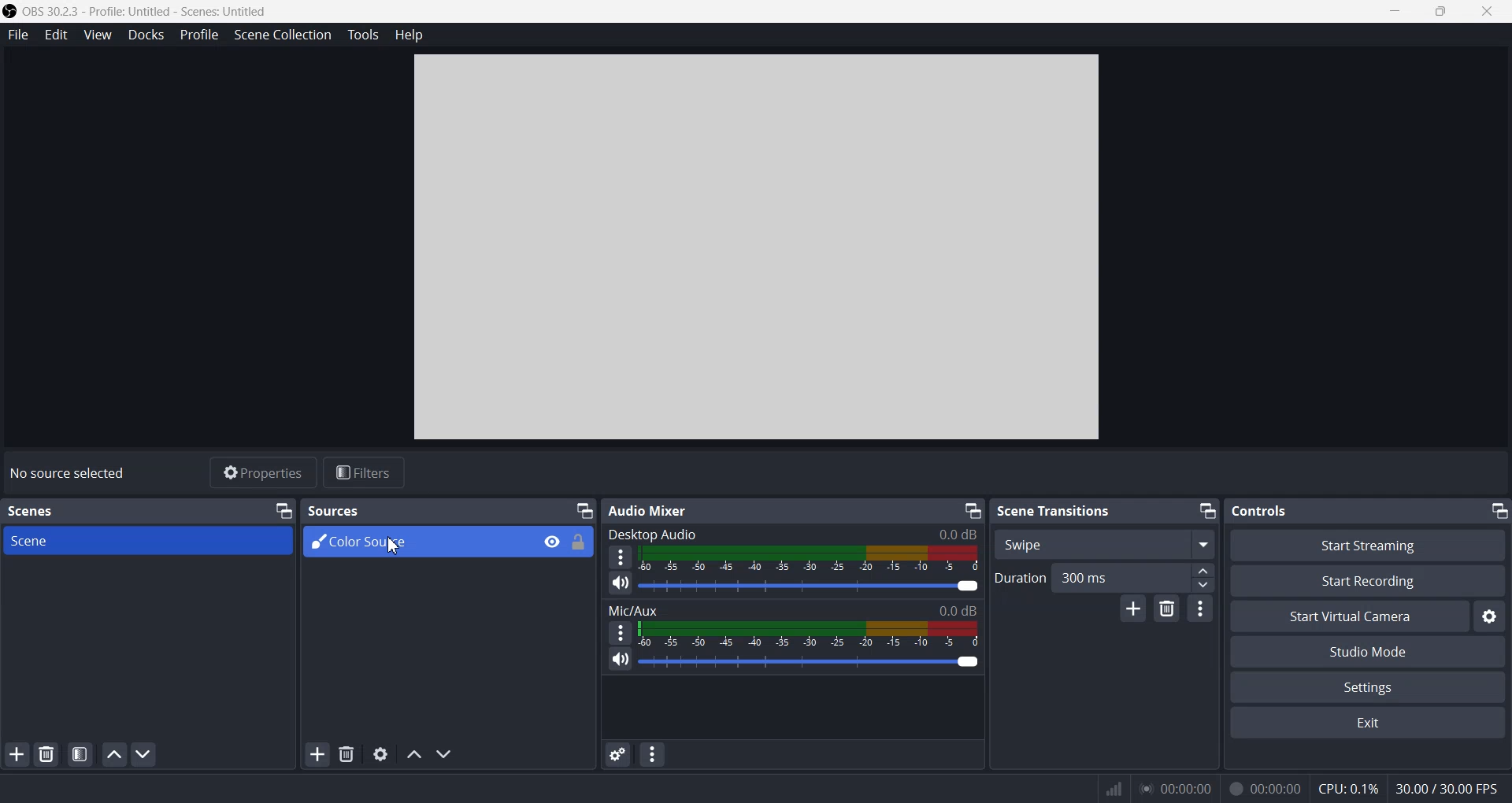  Describe the element at coordinates (413, 754) in the screenshot. I see `Move source Up` at that location.